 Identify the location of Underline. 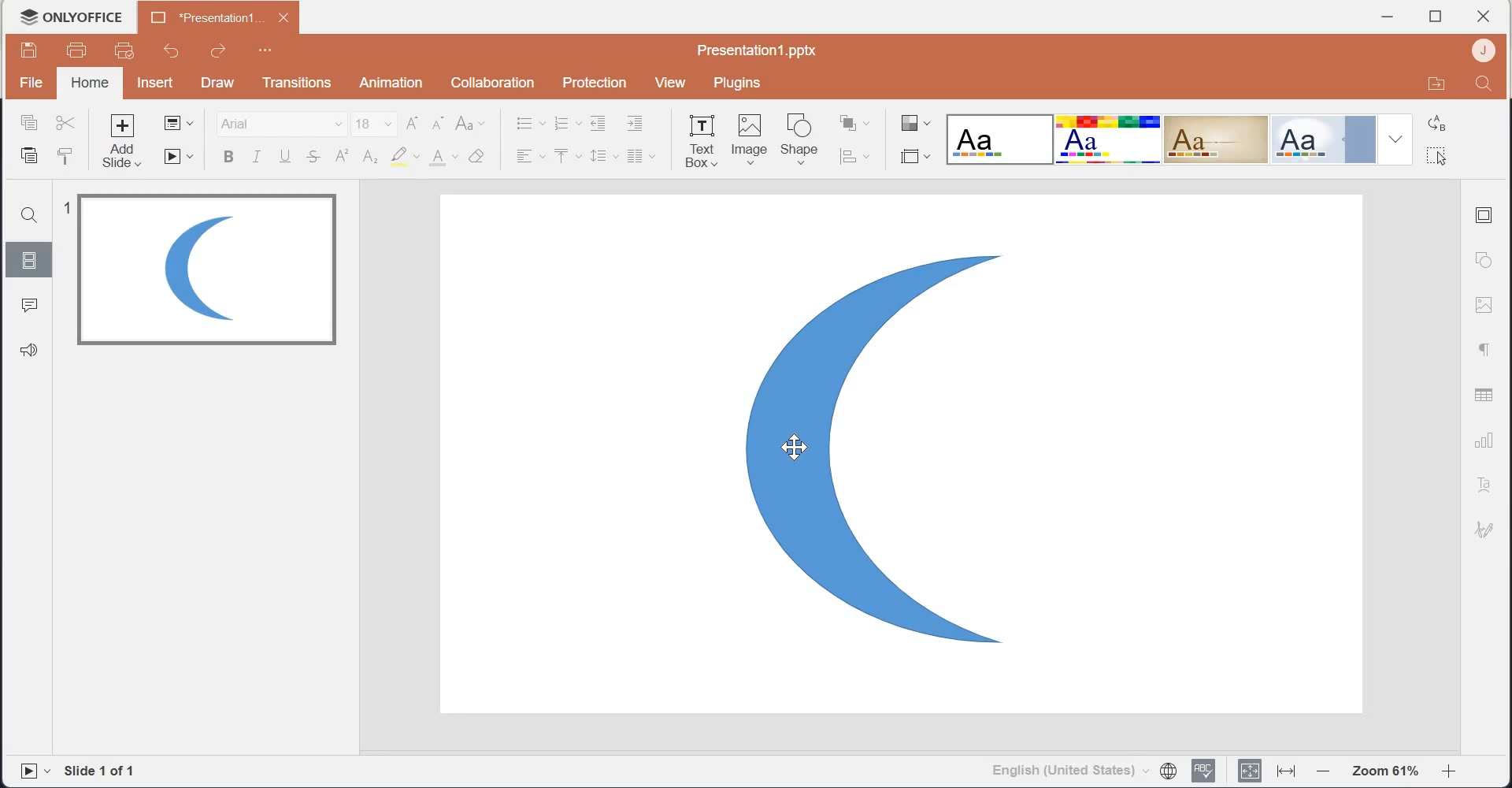
(288, 156).